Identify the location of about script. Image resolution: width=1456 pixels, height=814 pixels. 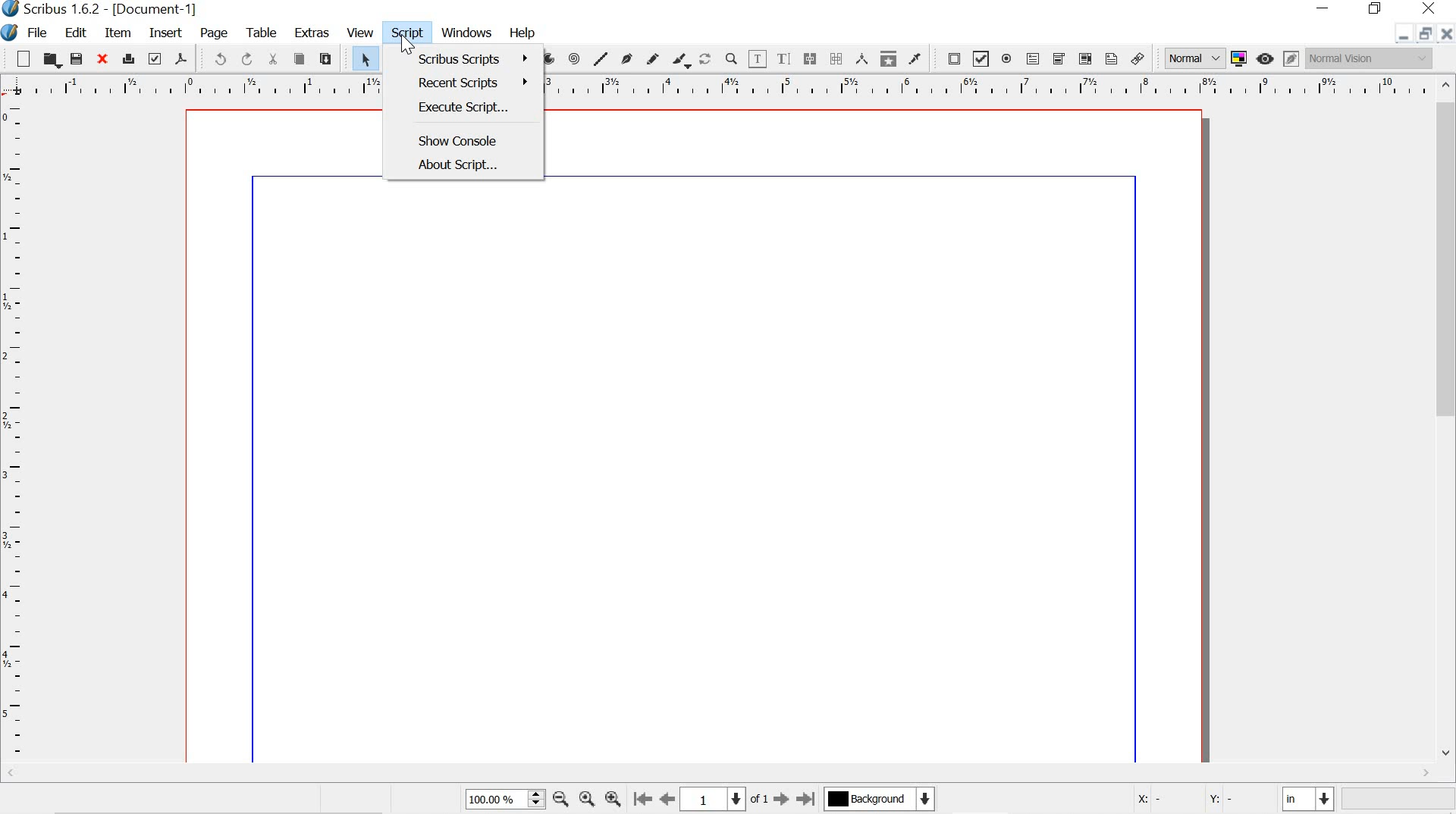
(458, 165).